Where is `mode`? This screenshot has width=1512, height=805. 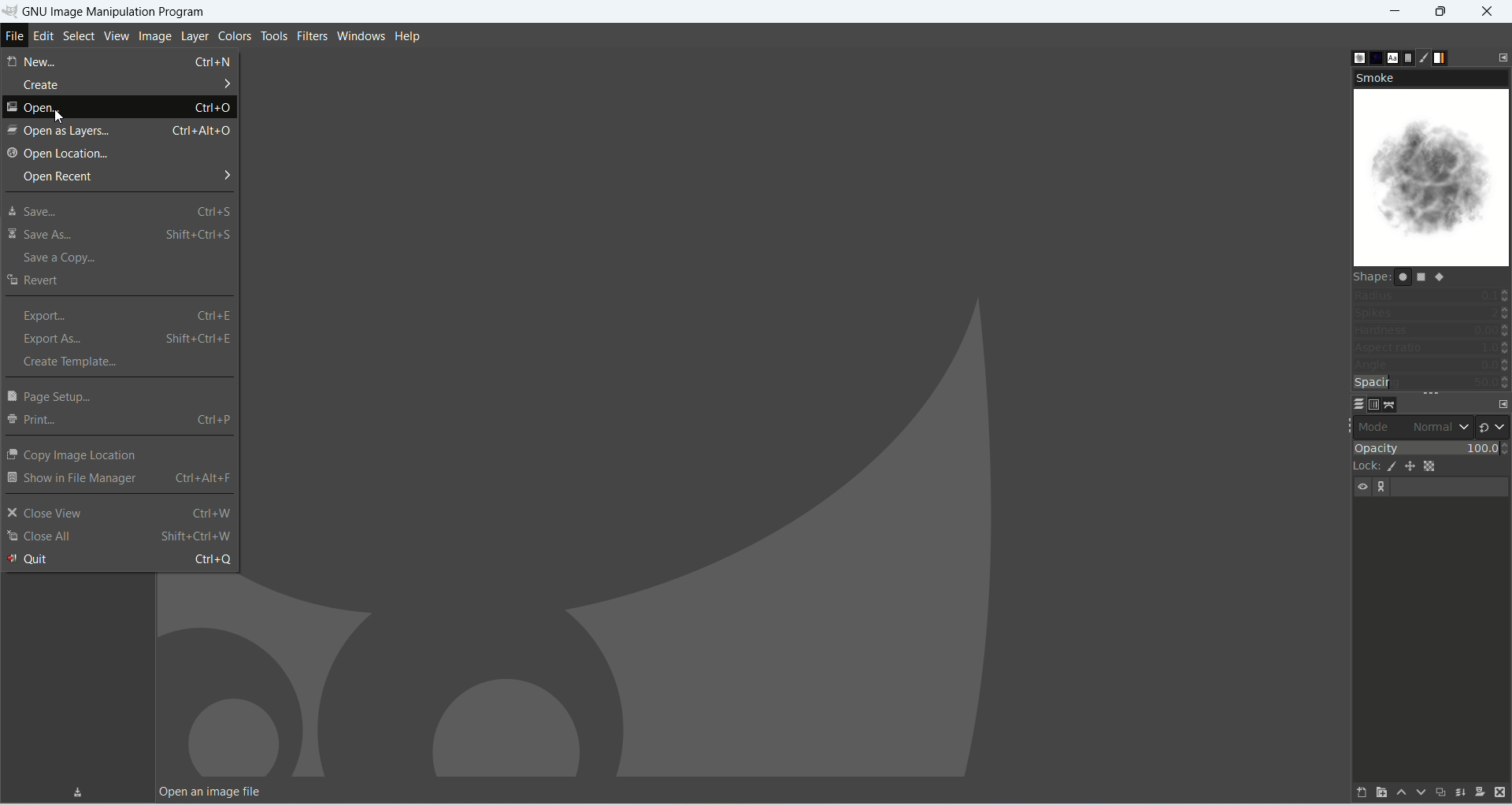 mode is located at coordinates (1377, 427).